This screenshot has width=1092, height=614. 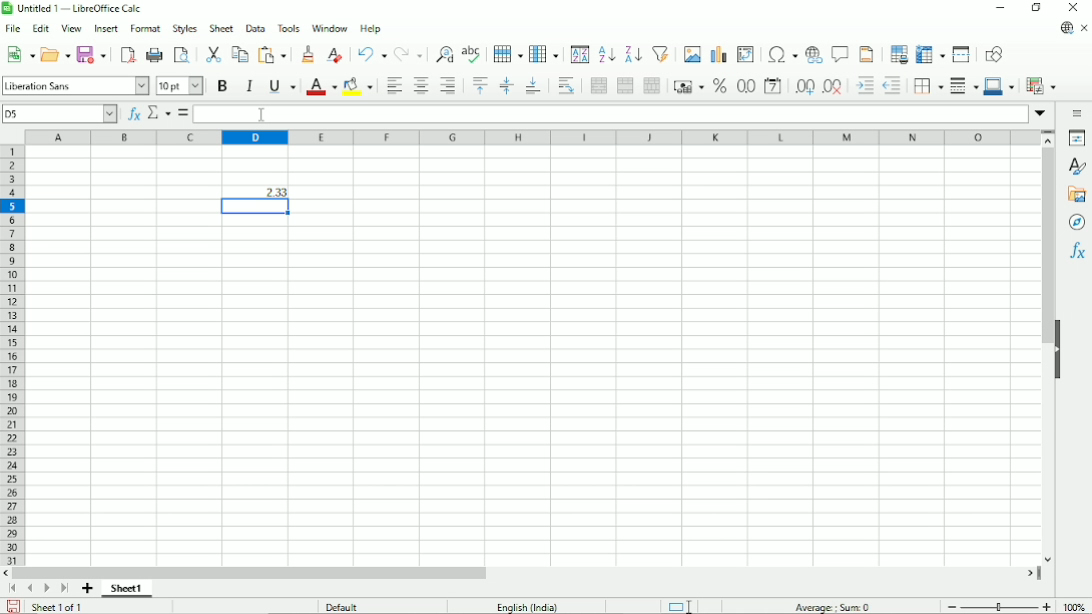 What do you see at coordinates (359, 87) in the screenshot?
I see `Background color` at bounding box center [359, 87].